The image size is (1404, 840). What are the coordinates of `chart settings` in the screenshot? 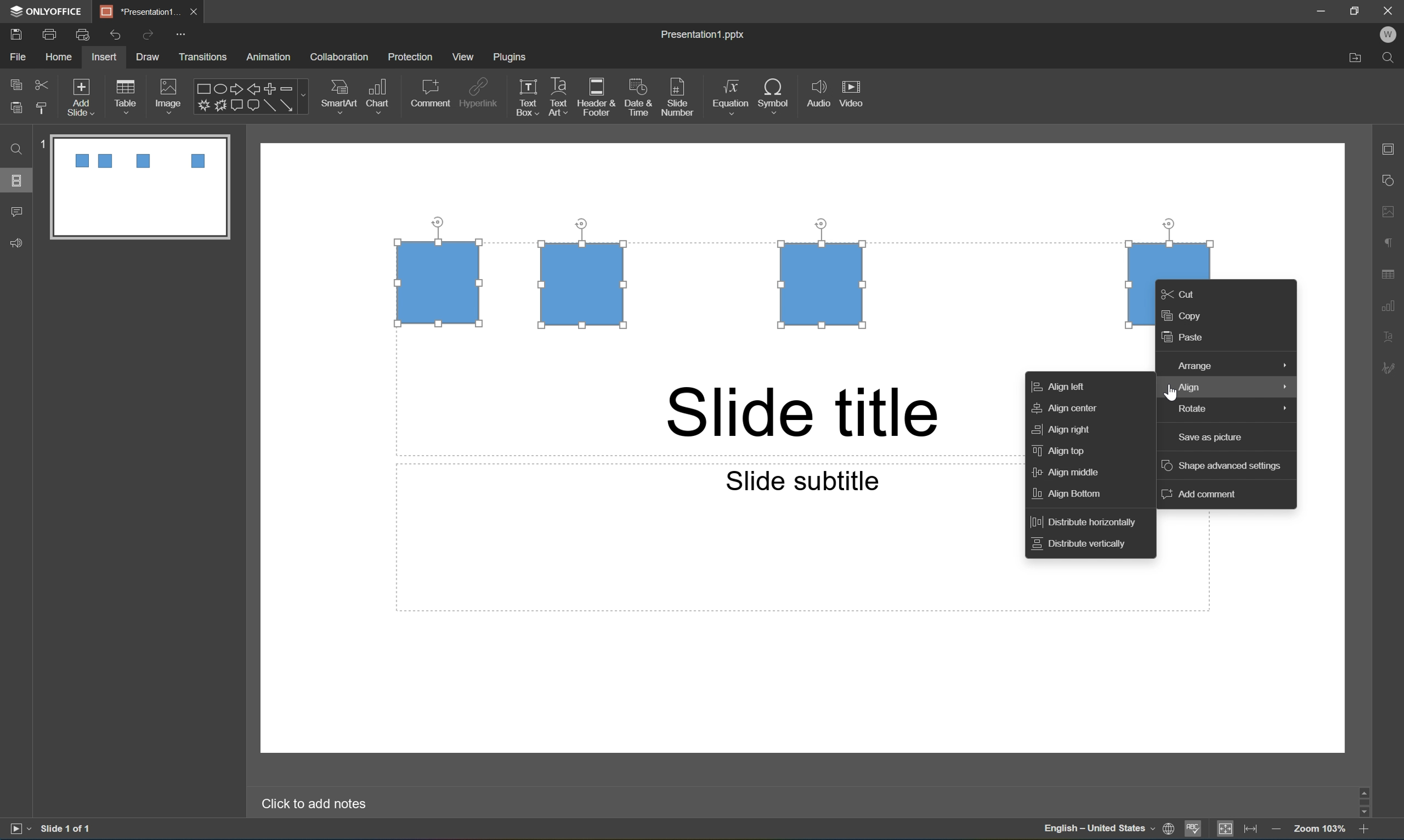 It's located at (1393, 304).